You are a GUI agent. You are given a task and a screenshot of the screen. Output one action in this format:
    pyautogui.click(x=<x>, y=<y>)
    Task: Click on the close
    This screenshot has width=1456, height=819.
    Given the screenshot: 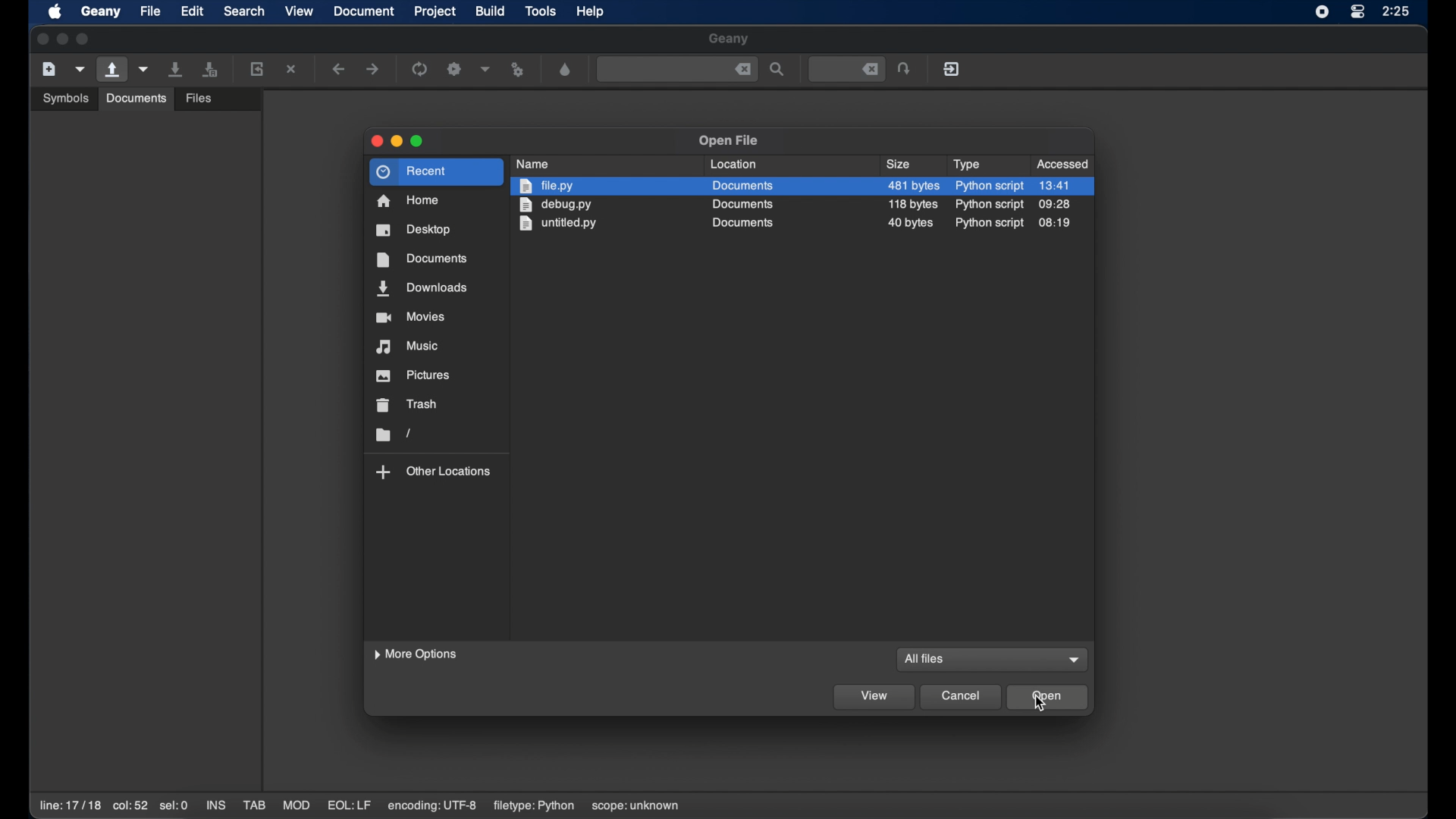 What is the action you would take?
    pyautogui.click(x=374, y=142)
    